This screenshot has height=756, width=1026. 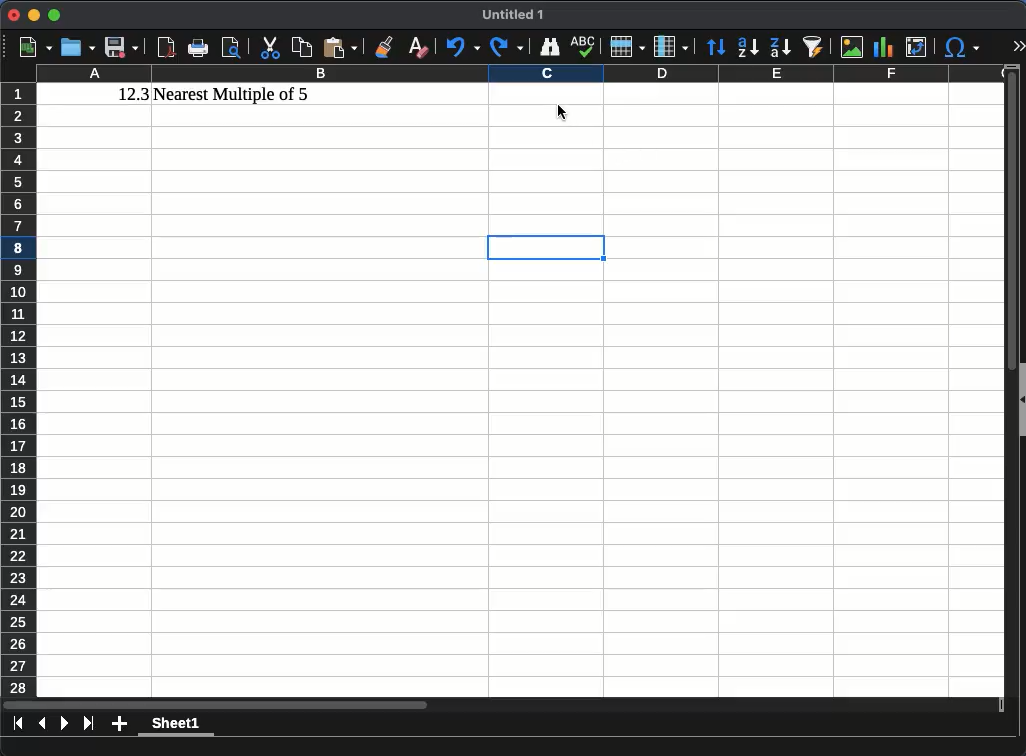 What do you see at coordinates (780, 48) in the screenshot?
I see `descending` at bounding box center [780, 48].